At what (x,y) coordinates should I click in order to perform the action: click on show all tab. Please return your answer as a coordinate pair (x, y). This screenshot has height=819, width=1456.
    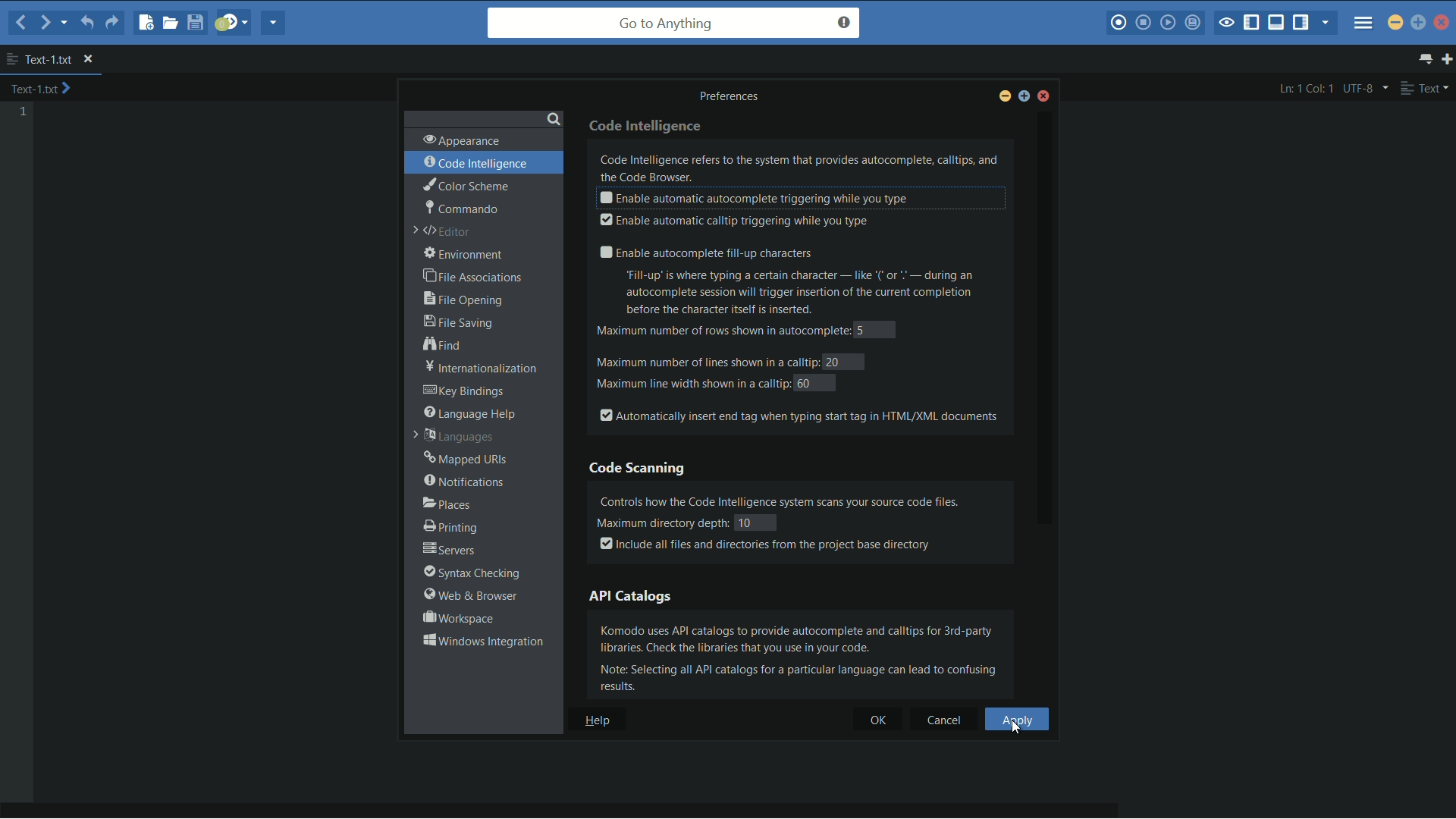
    Looking at the image, I should click on (1427, 59).